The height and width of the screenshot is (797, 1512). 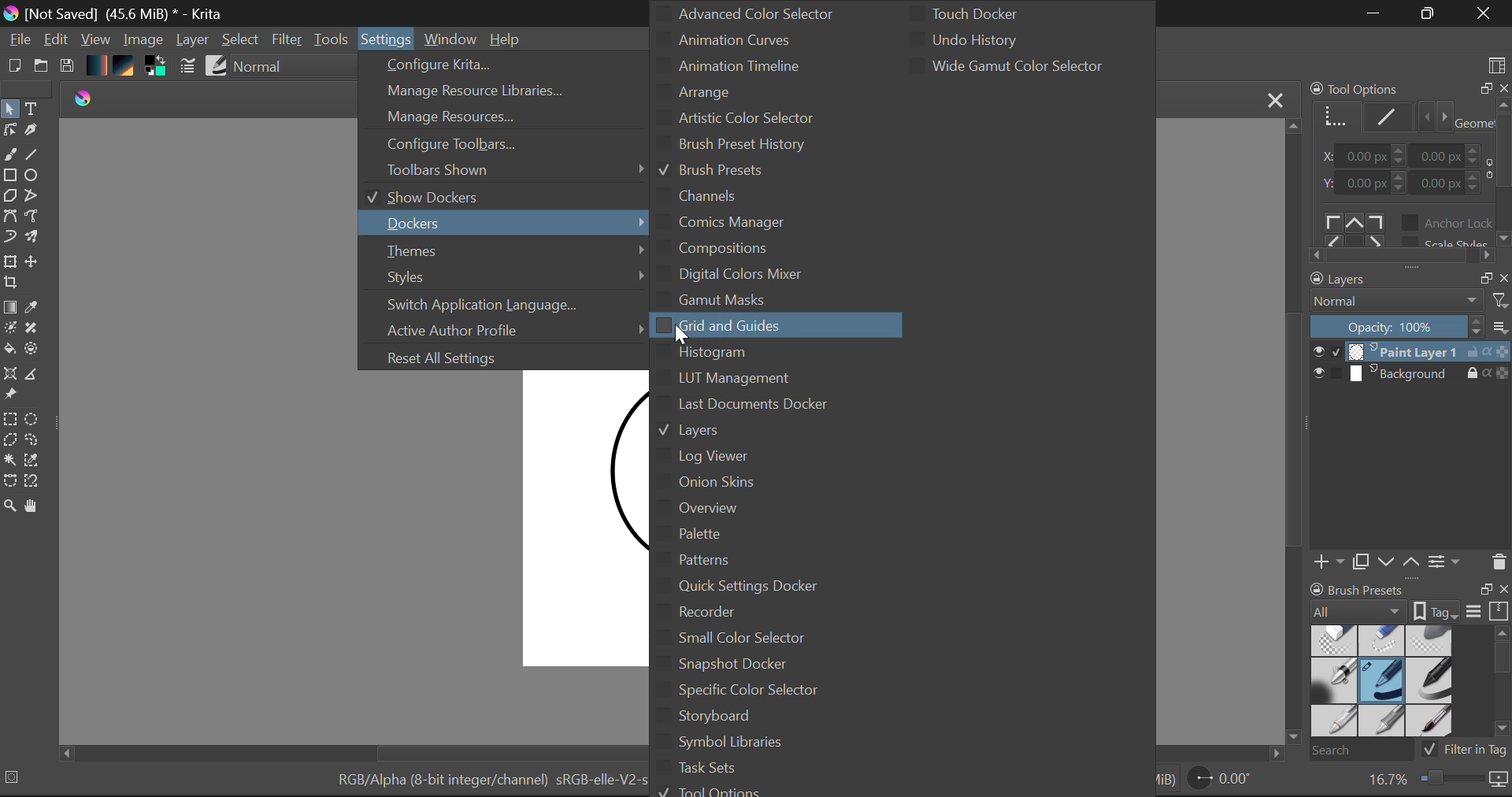 What do you see at coordinates (38, 240) in the screenshot?
I see `Multibrush Tool` at bounding box center [38, 240].